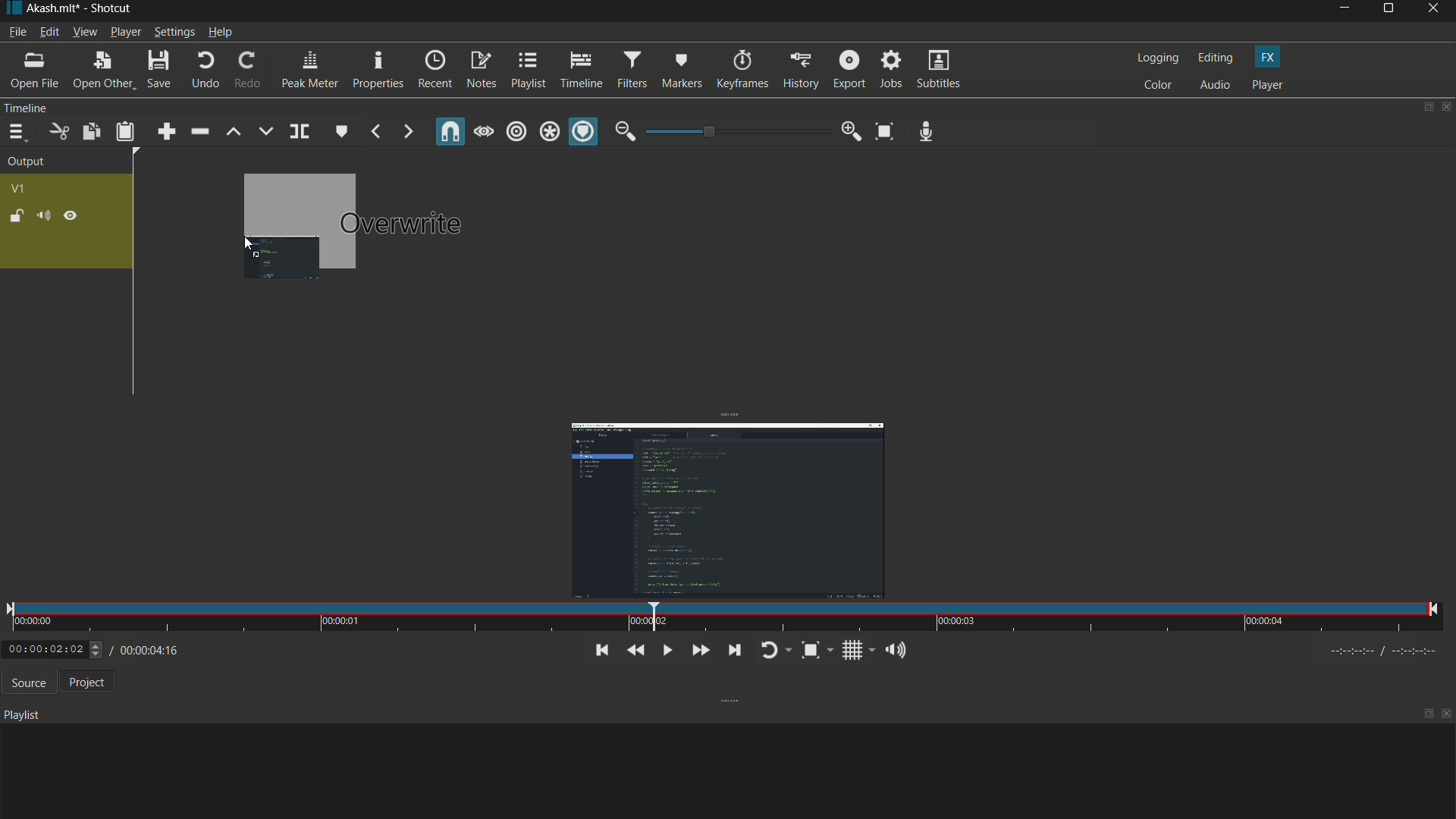 The width and height of the screenshot is (1456, 819). I want to click on open other, so click(99, 71).